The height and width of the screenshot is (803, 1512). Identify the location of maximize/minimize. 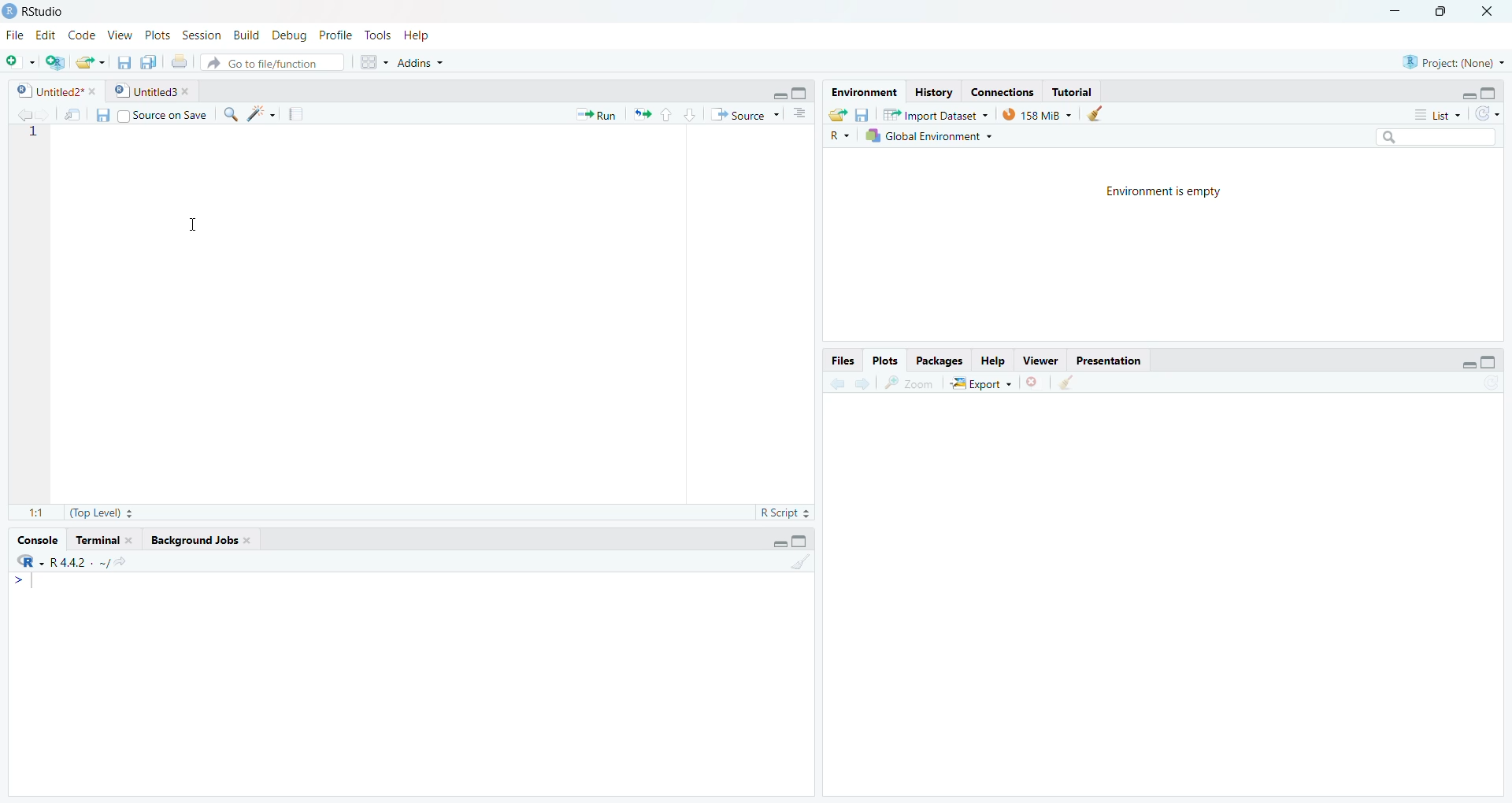
(798, 538).